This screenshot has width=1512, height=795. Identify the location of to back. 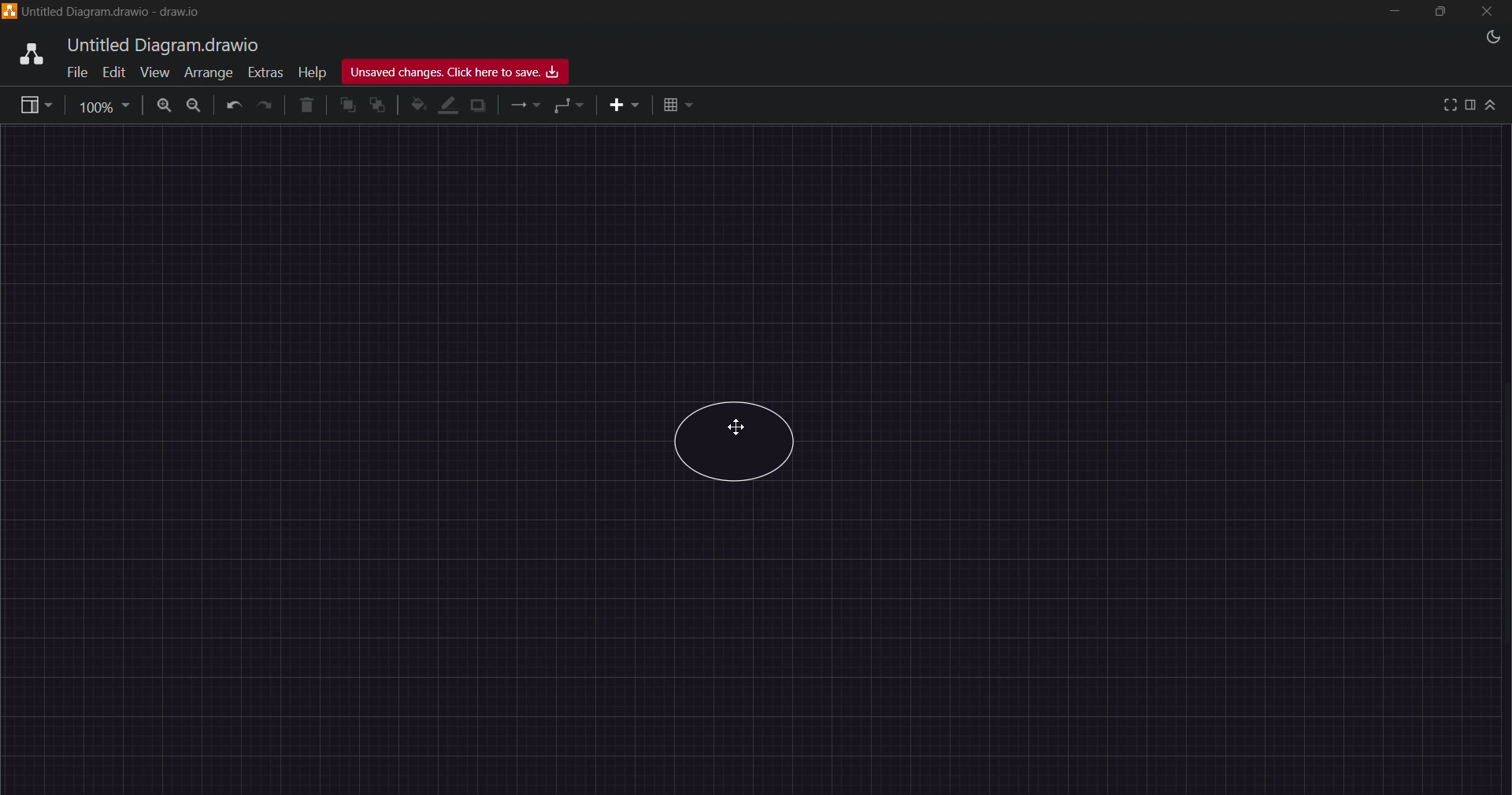
(377, 106).